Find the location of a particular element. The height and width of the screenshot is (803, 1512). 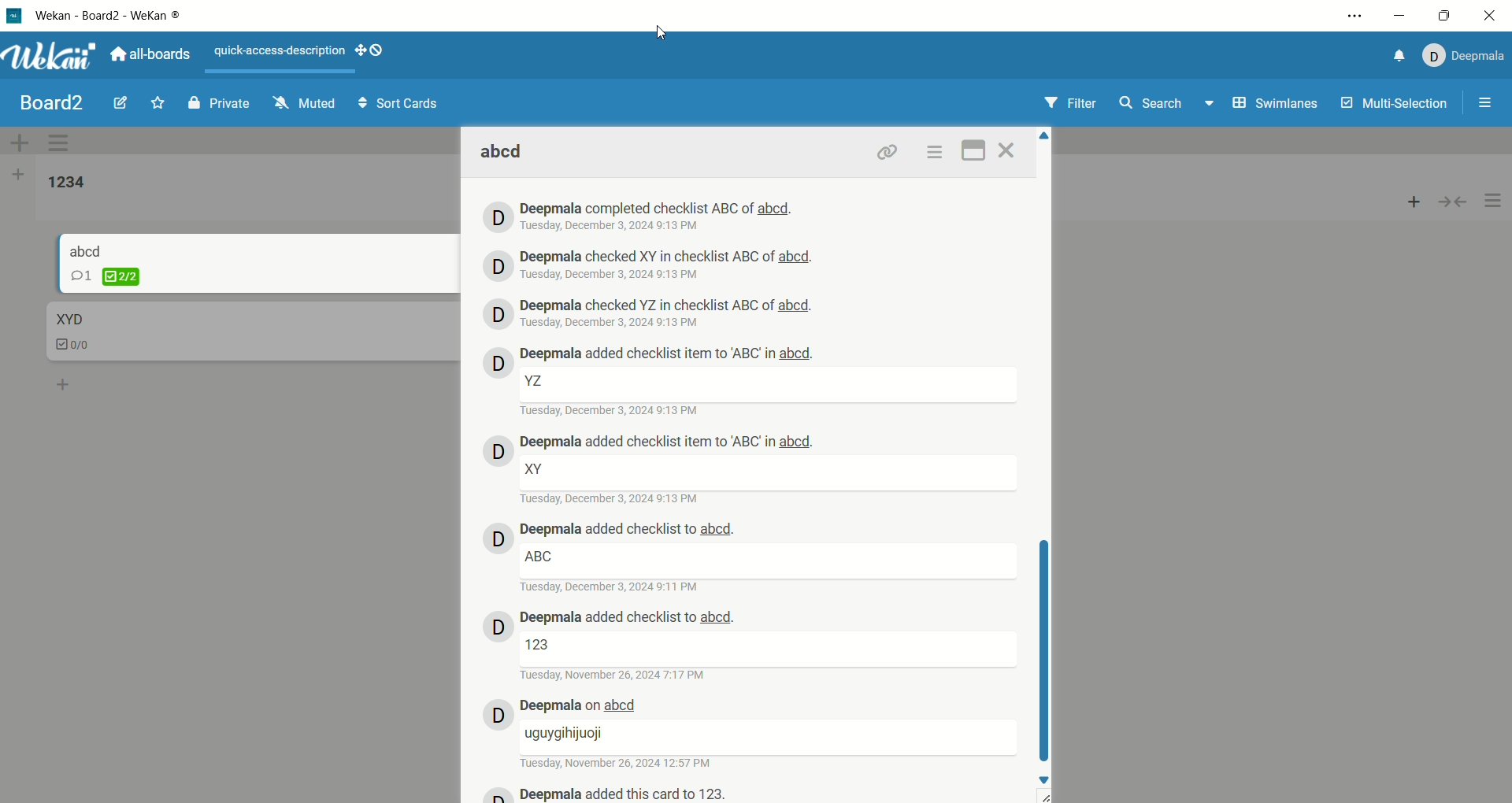

add list is located at coordinates (18, 177).